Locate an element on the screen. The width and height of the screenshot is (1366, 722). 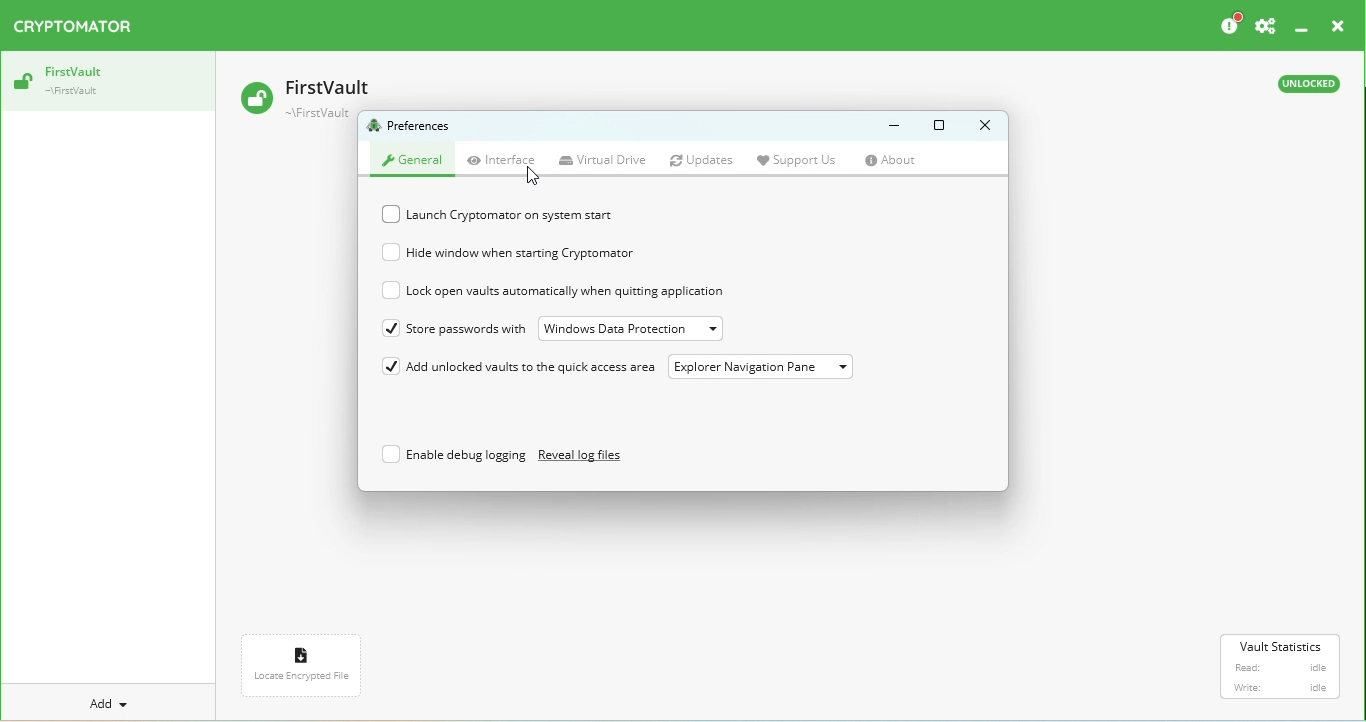
Vault is located at coordinates (105, 82).